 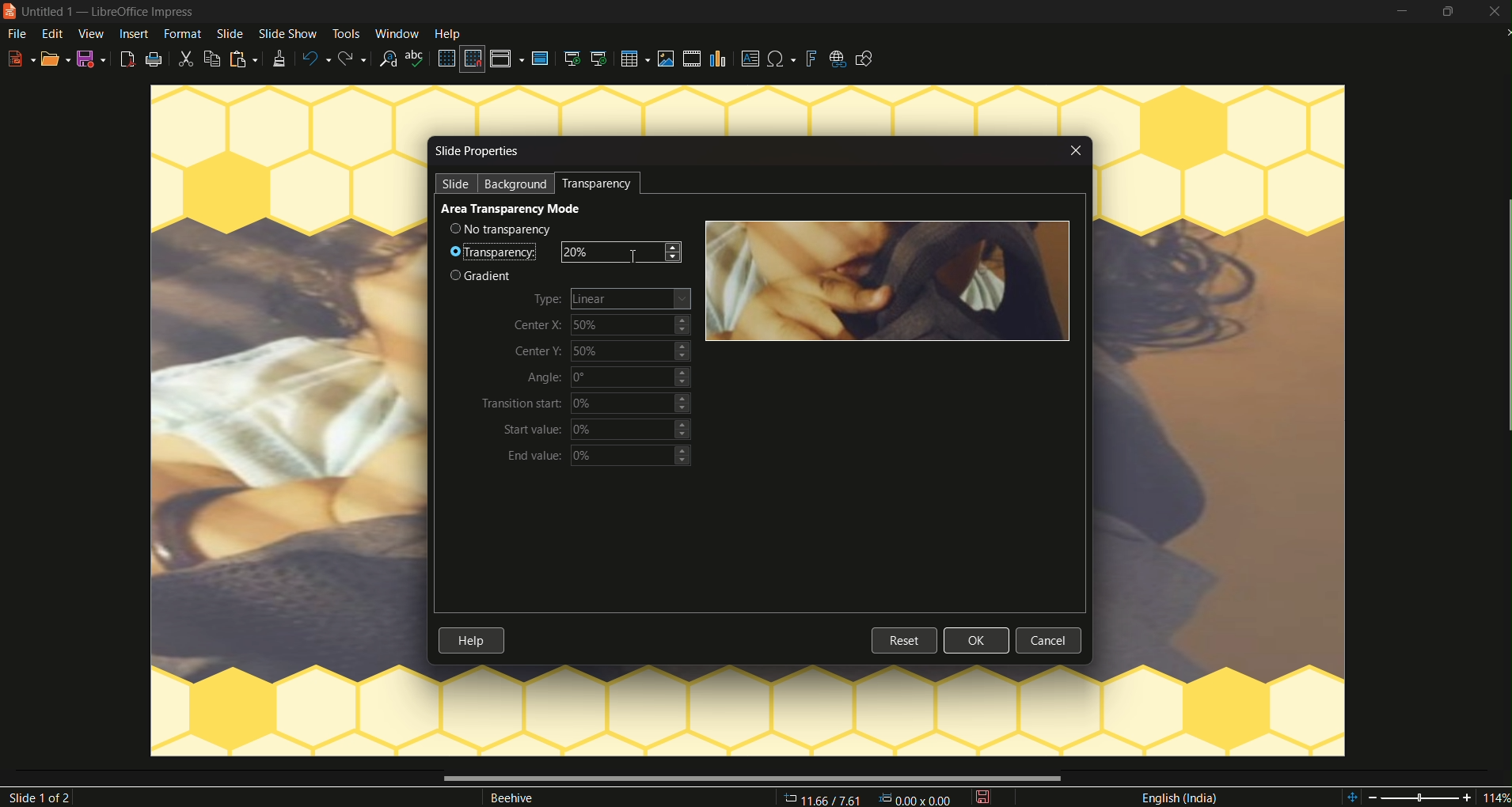 I want to click on 50%, so click(x=629, y=350).